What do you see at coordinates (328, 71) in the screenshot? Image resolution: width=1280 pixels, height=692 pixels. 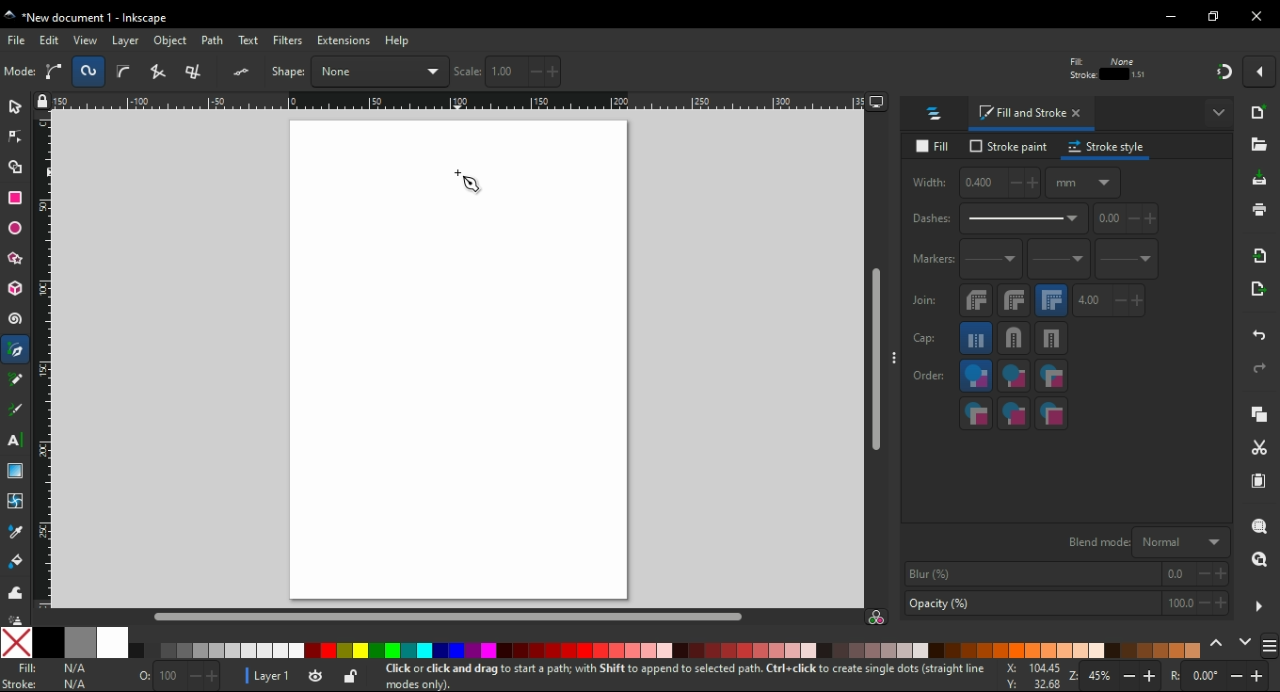 I see `rasie to top` at bounding box center [328, 71].